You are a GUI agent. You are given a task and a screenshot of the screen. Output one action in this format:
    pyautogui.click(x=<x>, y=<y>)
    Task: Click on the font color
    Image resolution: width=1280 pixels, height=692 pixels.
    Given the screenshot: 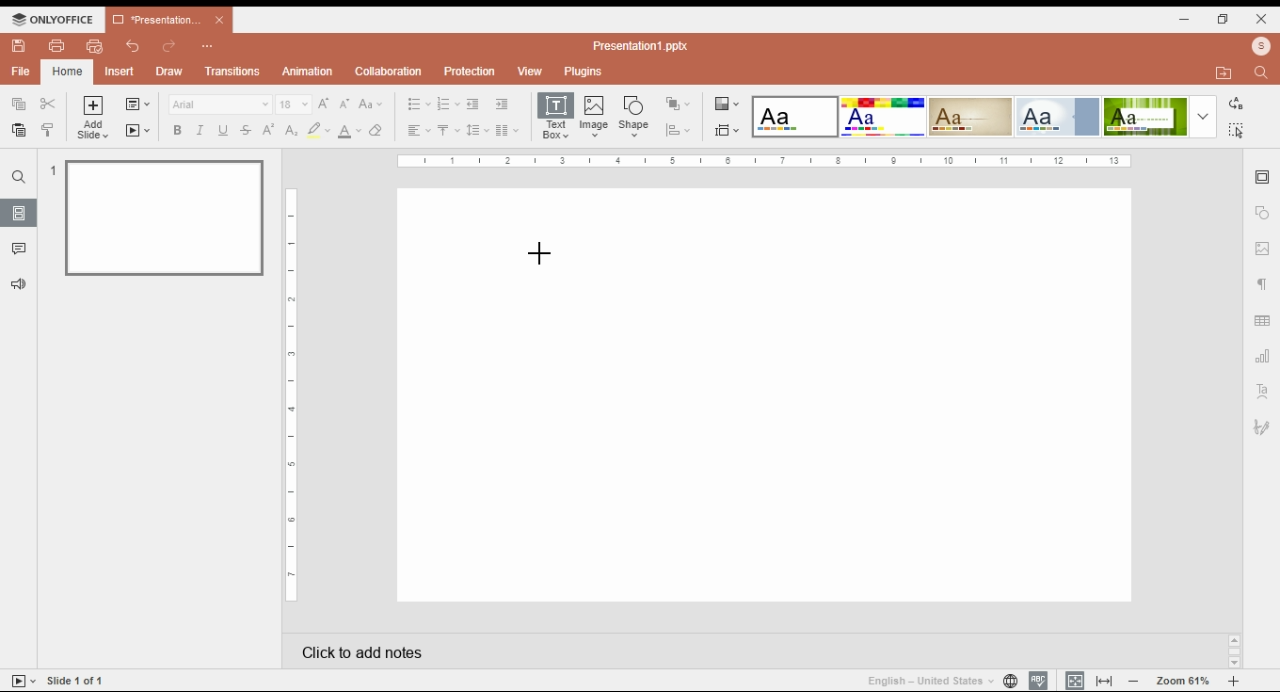 What is the action you would take?
    pyautogui.click(x=350, y=131)
    